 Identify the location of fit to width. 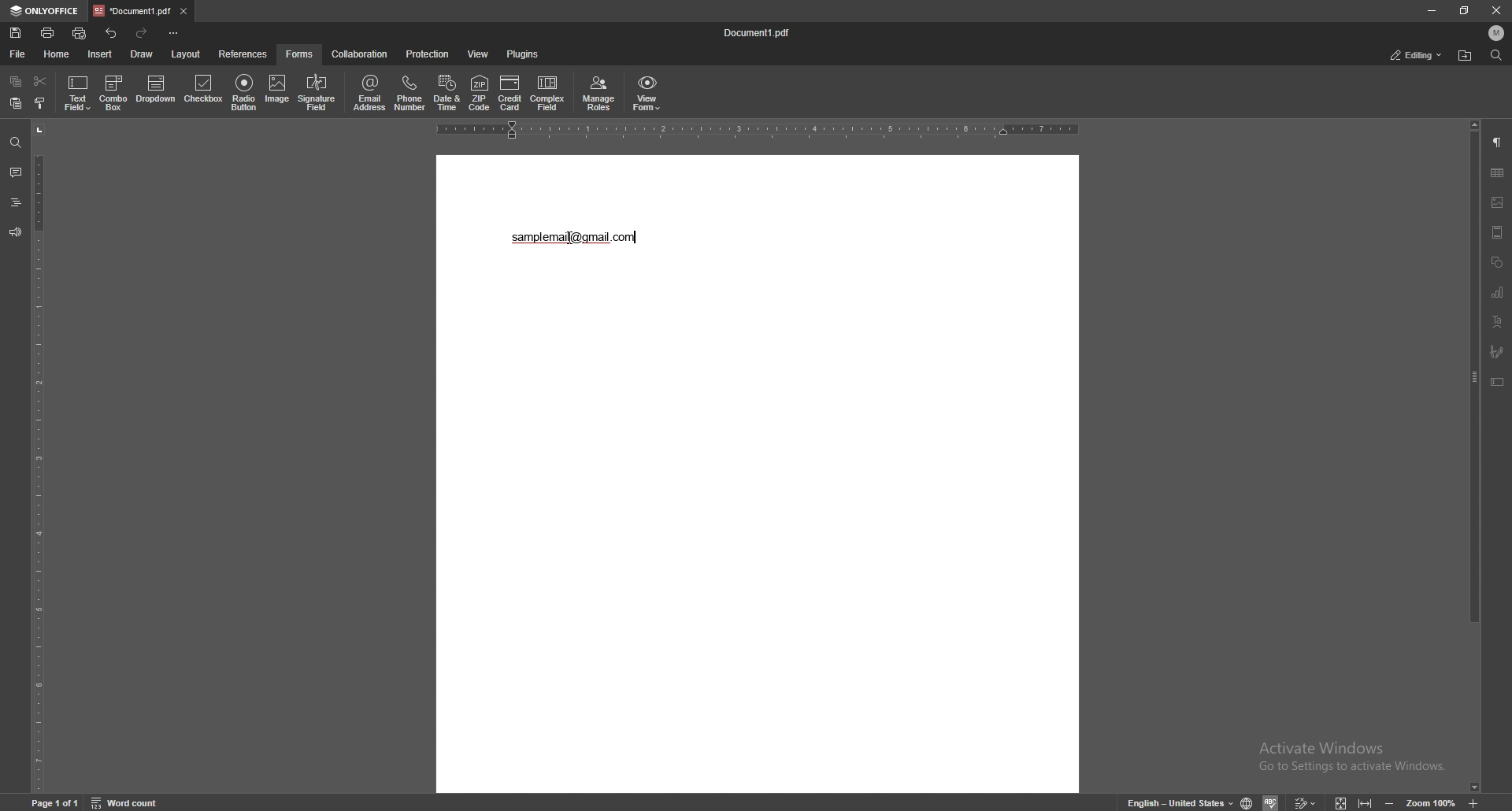
(1364, 800).